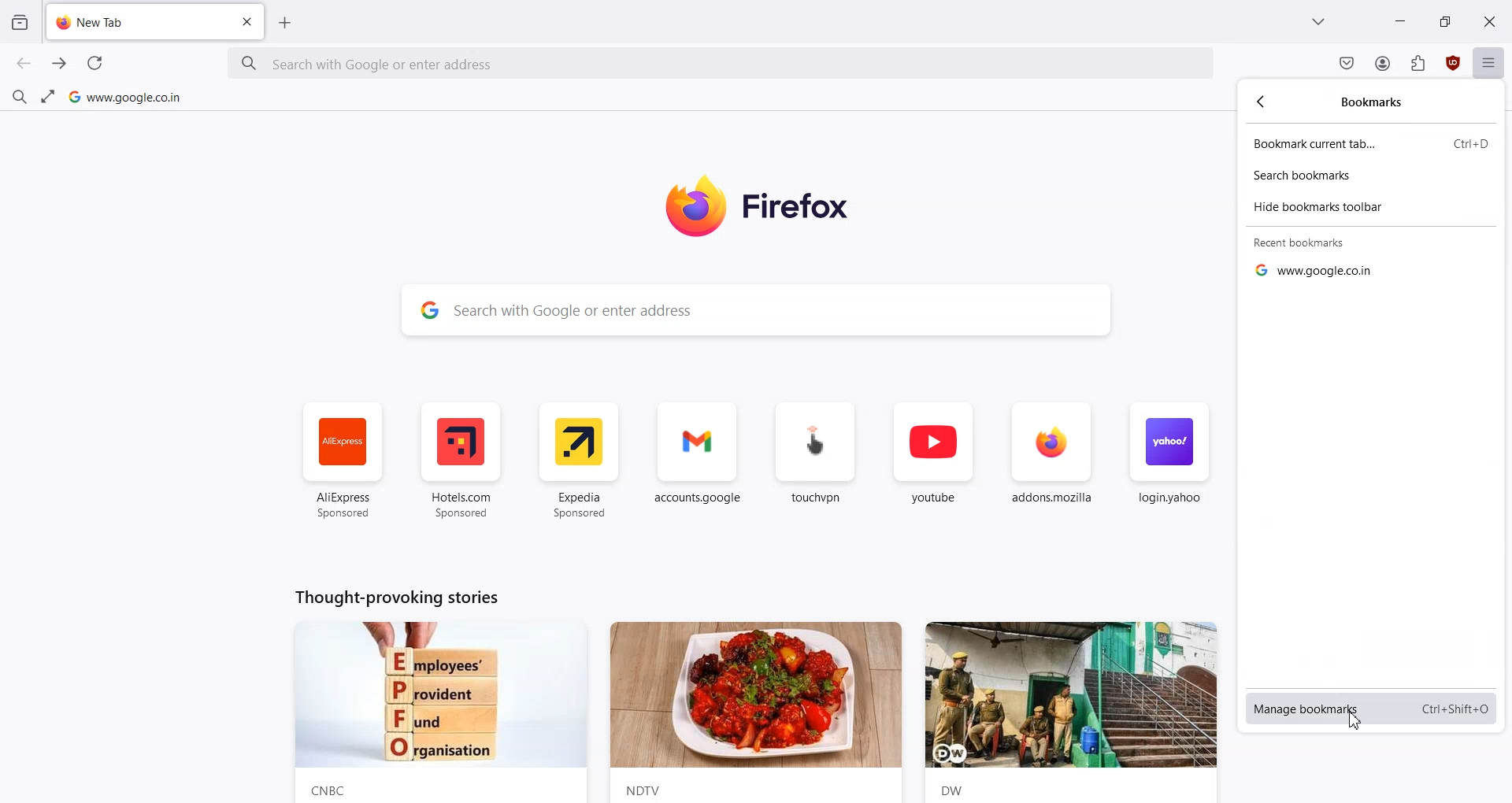  I want to click on Cursor, so click(1354, 717).